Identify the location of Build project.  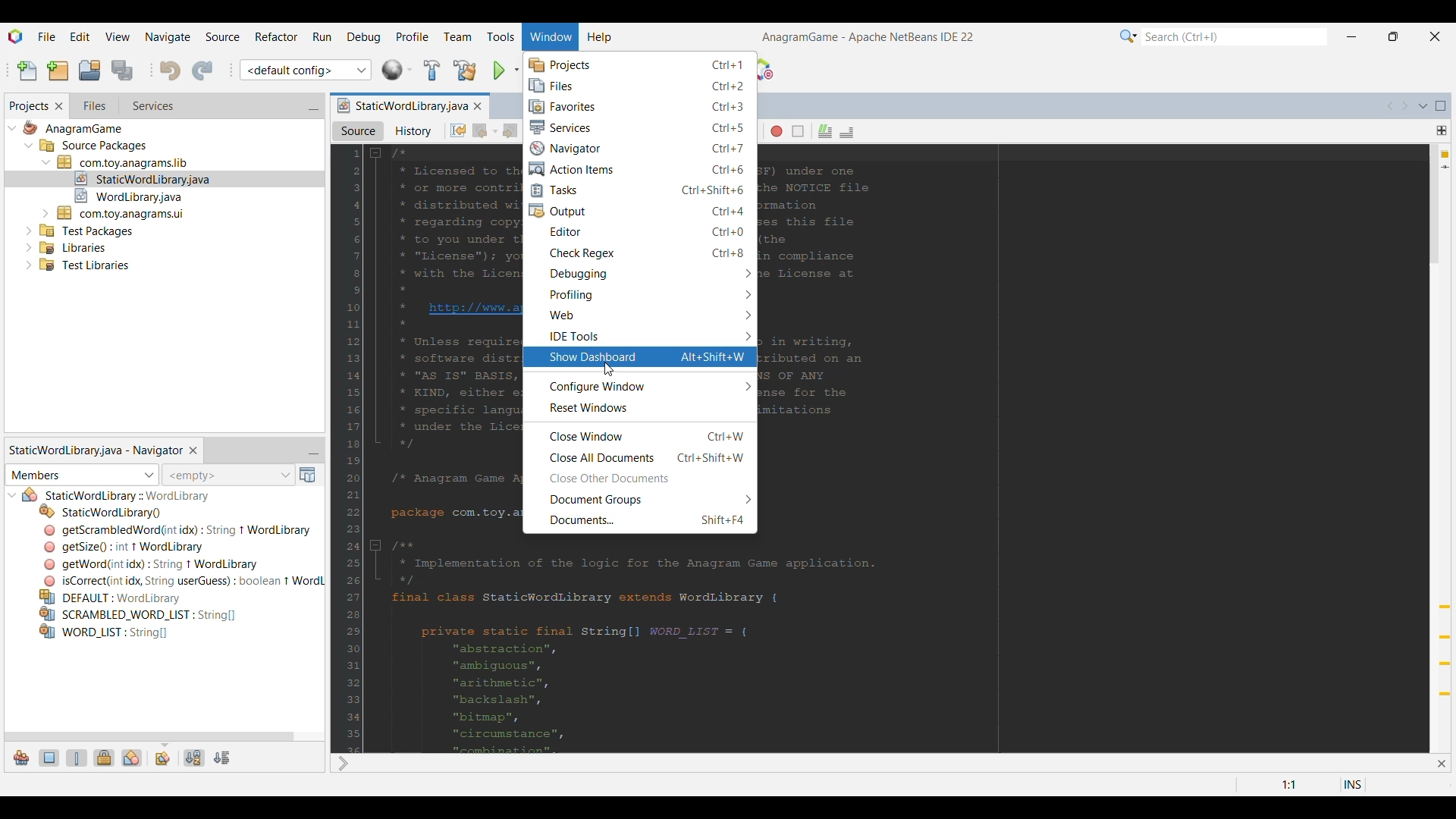
(432, 70).